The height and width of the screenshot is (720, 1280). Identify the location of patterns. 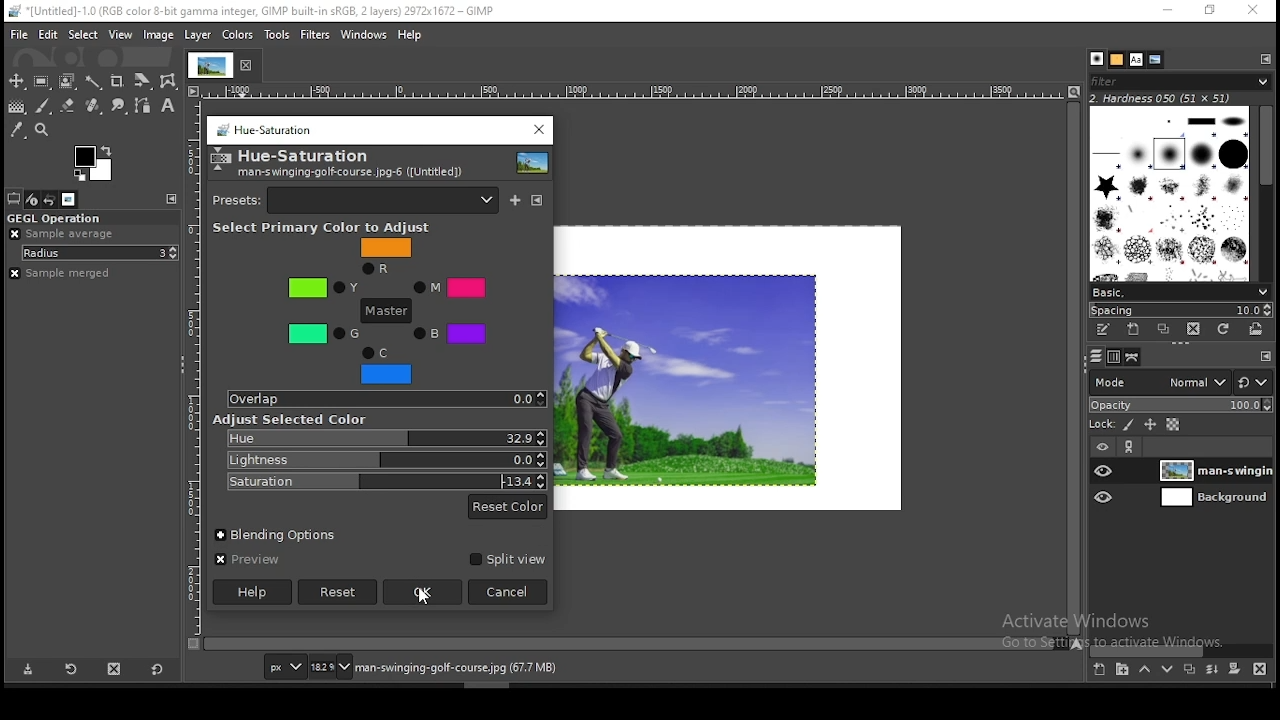
(1117, 61).